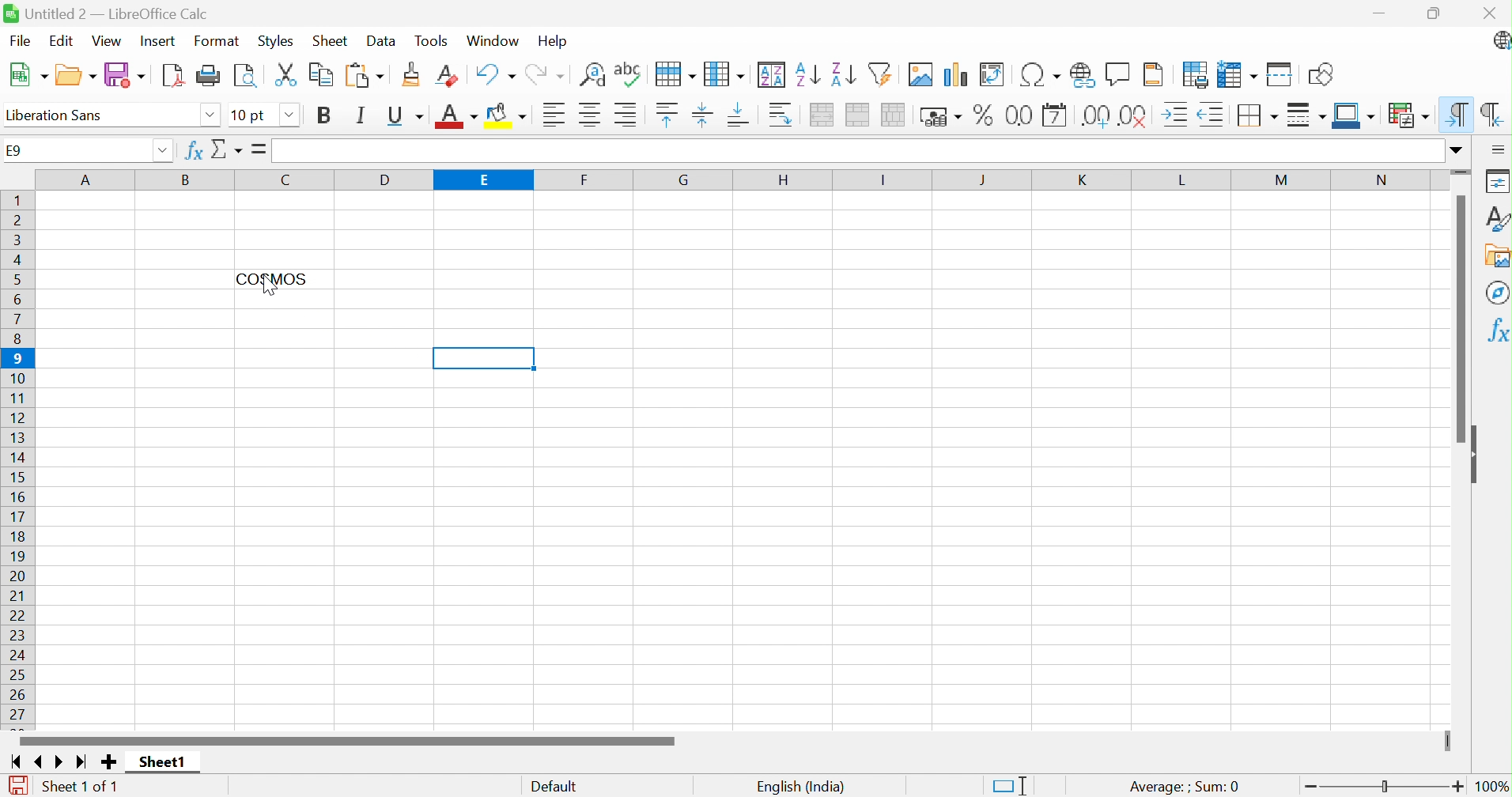 The width and height of the screenshot is (1512, 797). I want to click on Increase indent, so click(1177, 115).